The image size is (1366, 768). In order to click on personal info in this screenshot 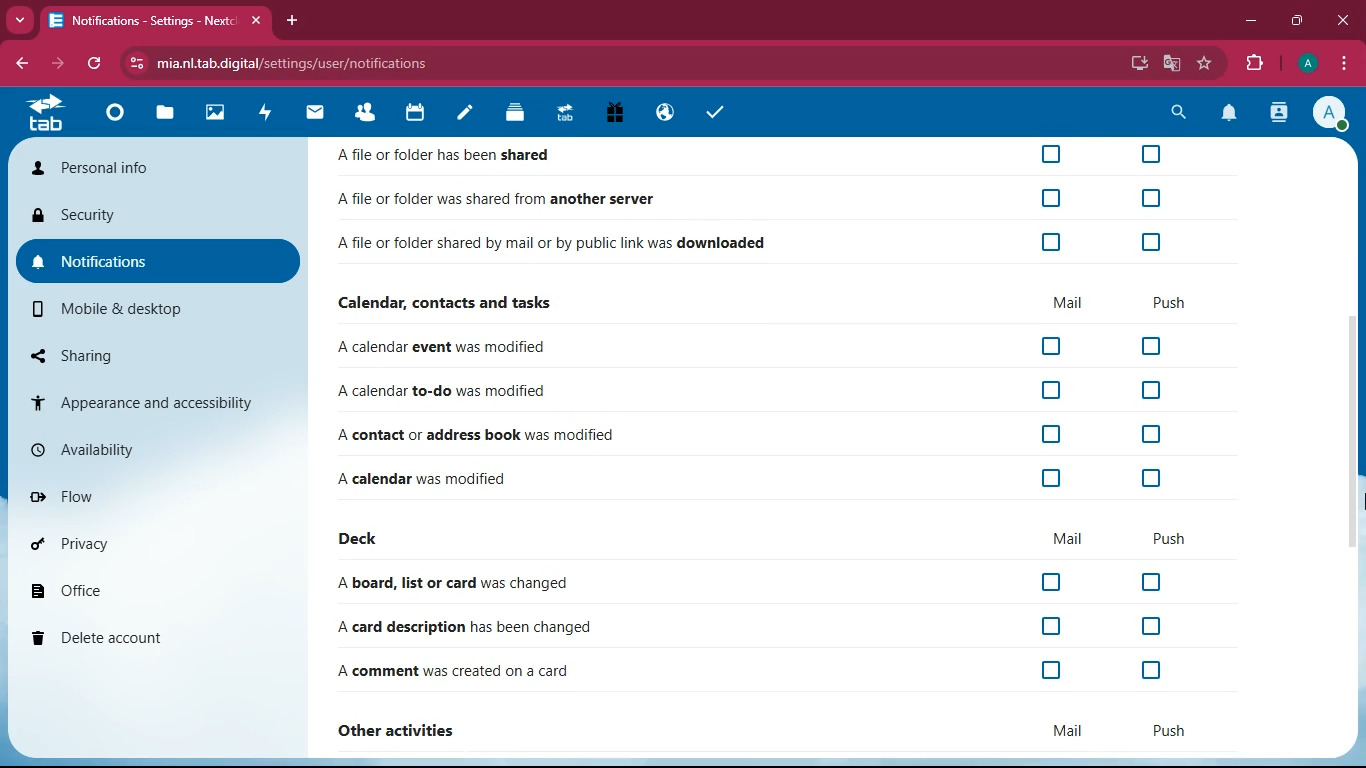, I will do `click(158, 167)`.